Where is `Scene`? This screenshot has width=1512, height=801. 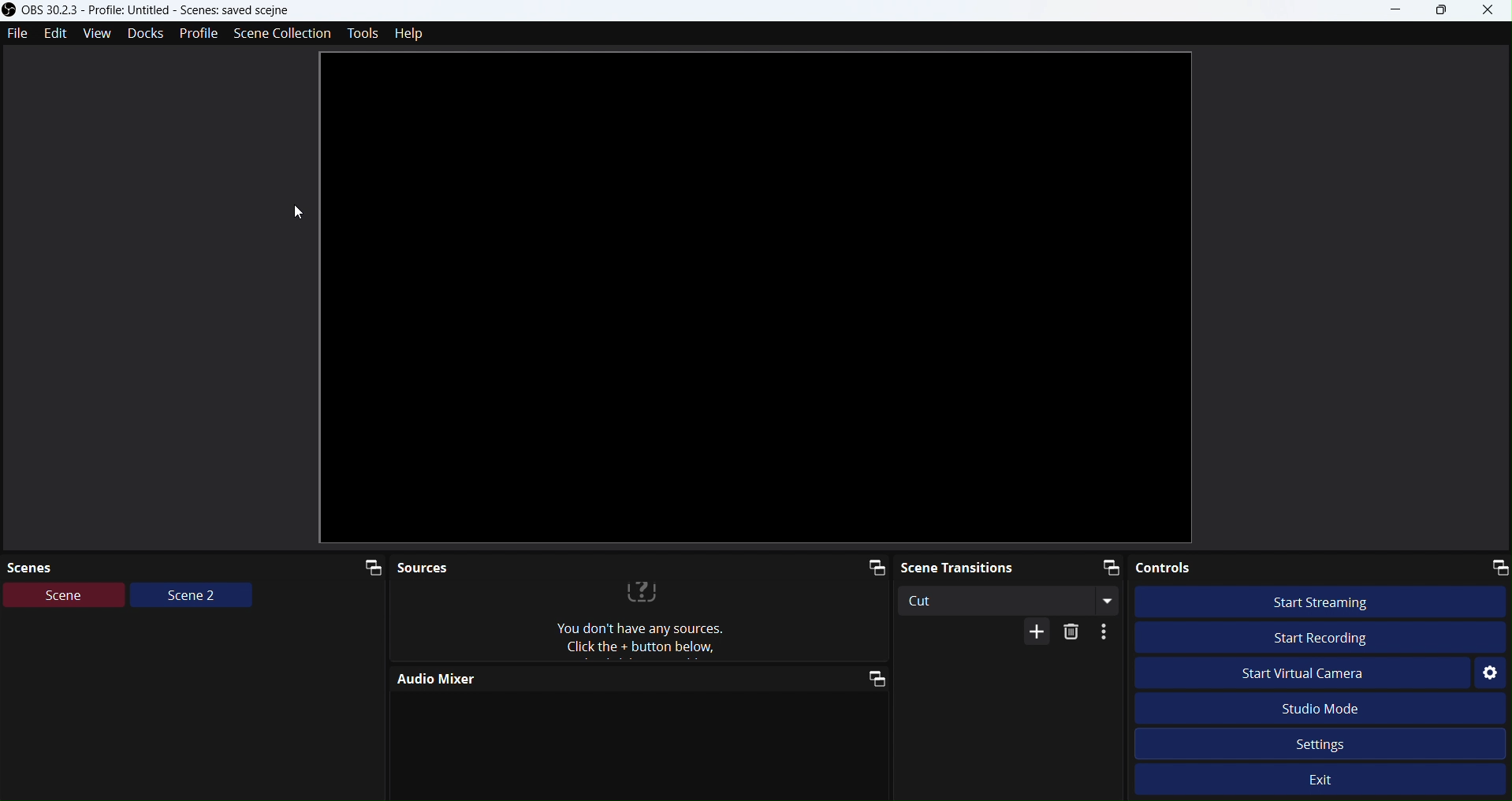 Scene is located at coordinates (65, 595).